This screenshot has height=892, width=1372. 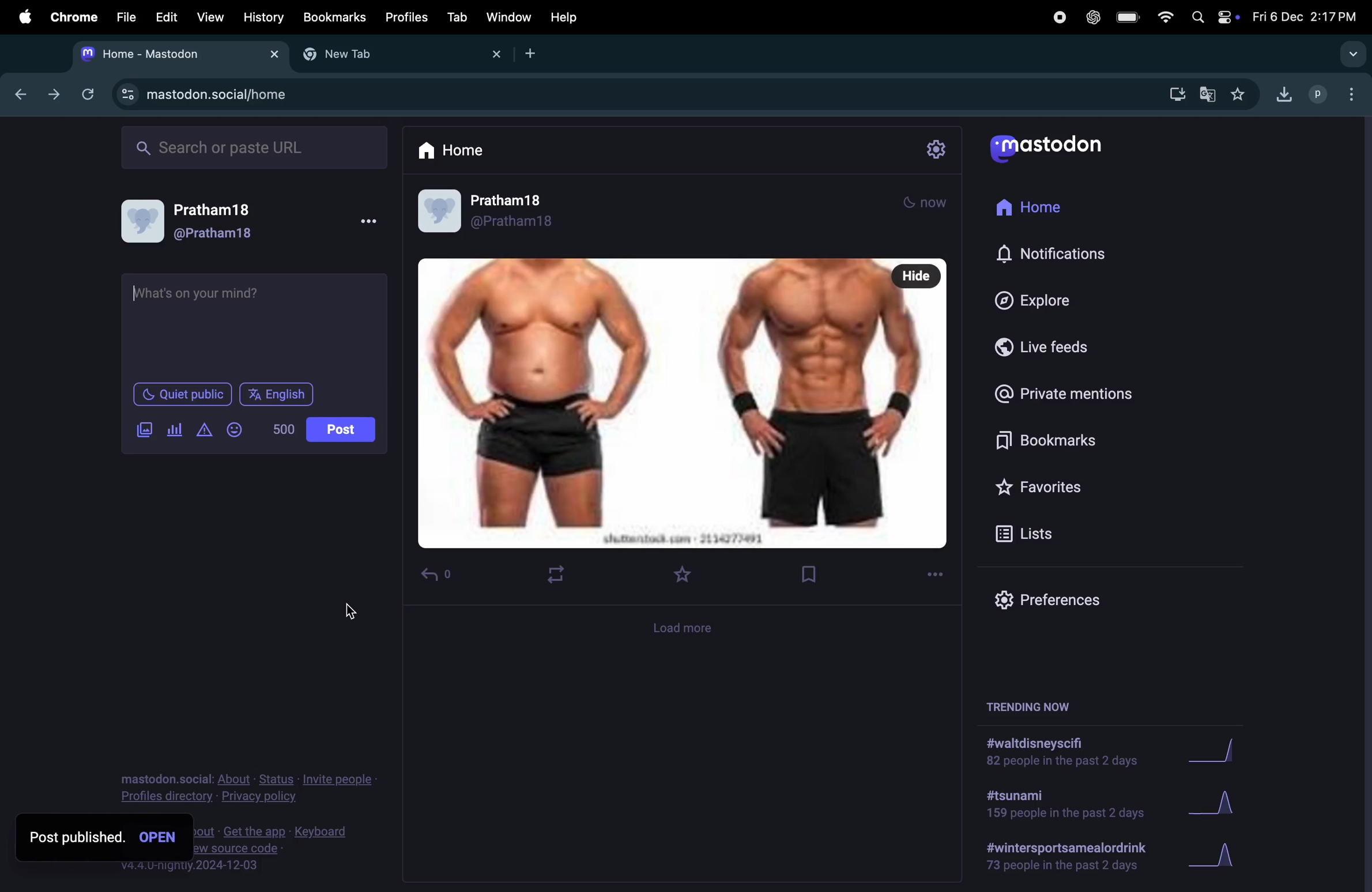 I want to click on profiles, so click(x=406, y=17).